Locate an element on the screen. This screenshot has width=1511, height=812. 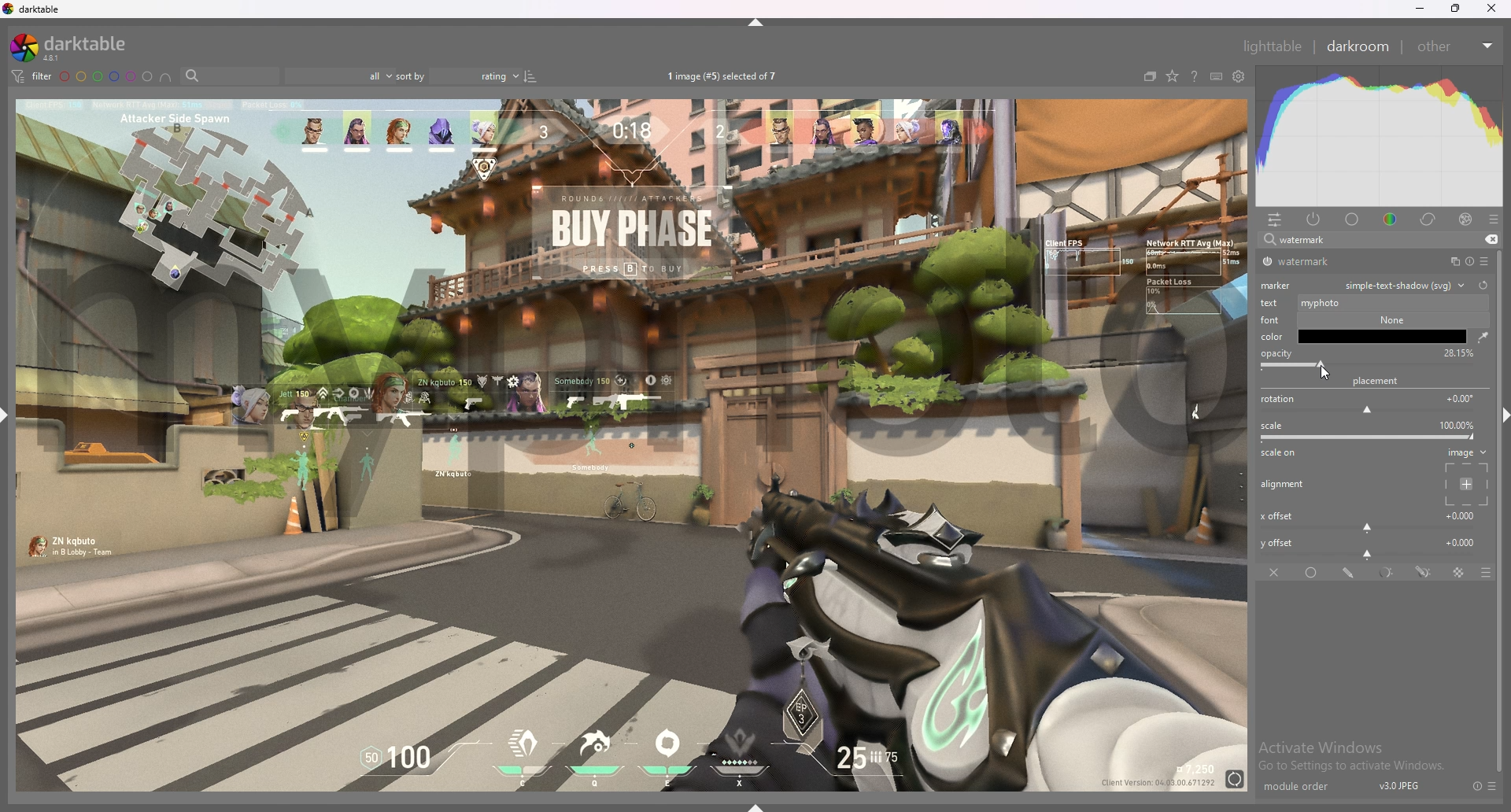
resize is located at coordinates (1456, 9).